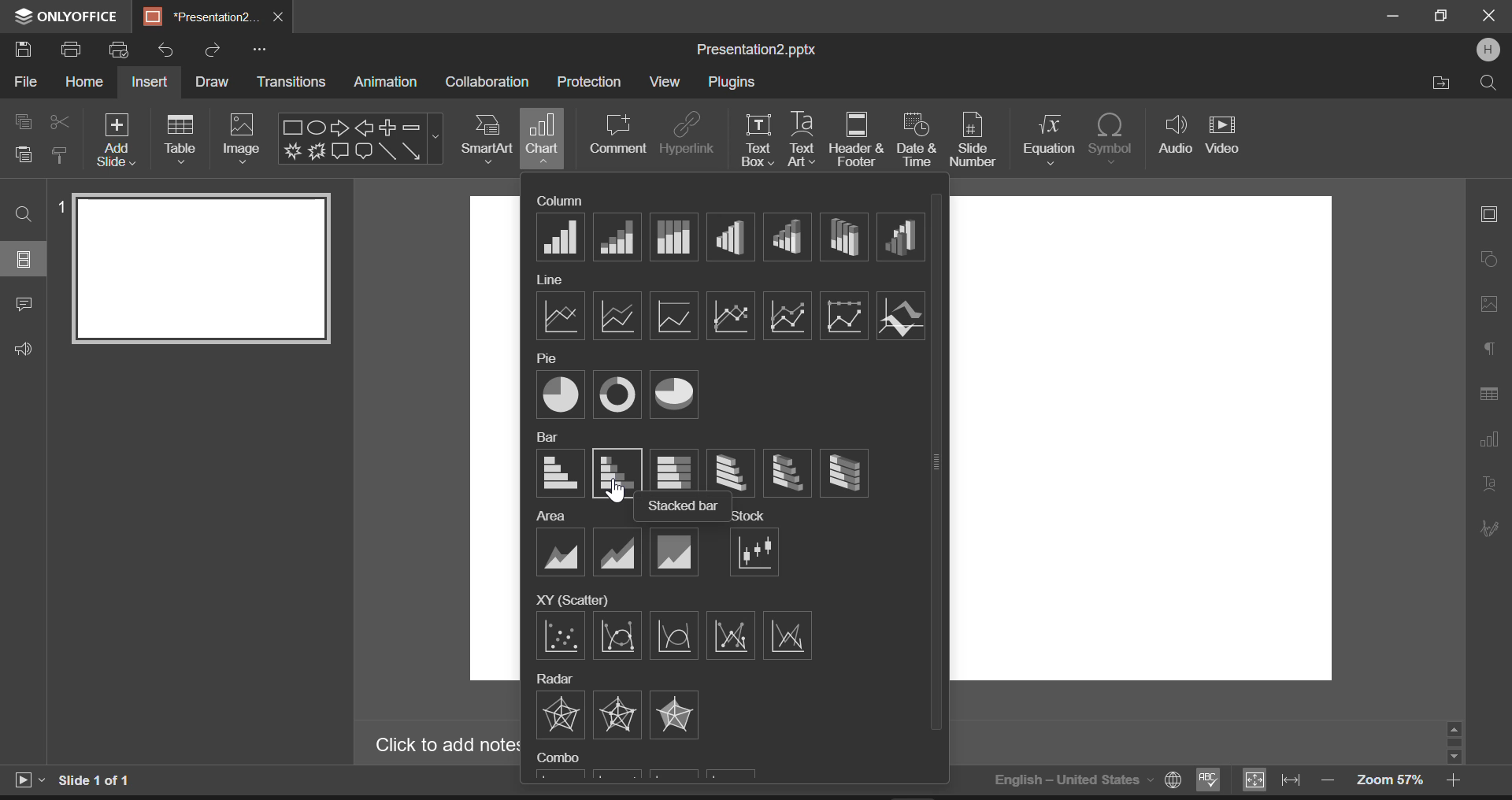  I want to click on Line, so click(558, 317).